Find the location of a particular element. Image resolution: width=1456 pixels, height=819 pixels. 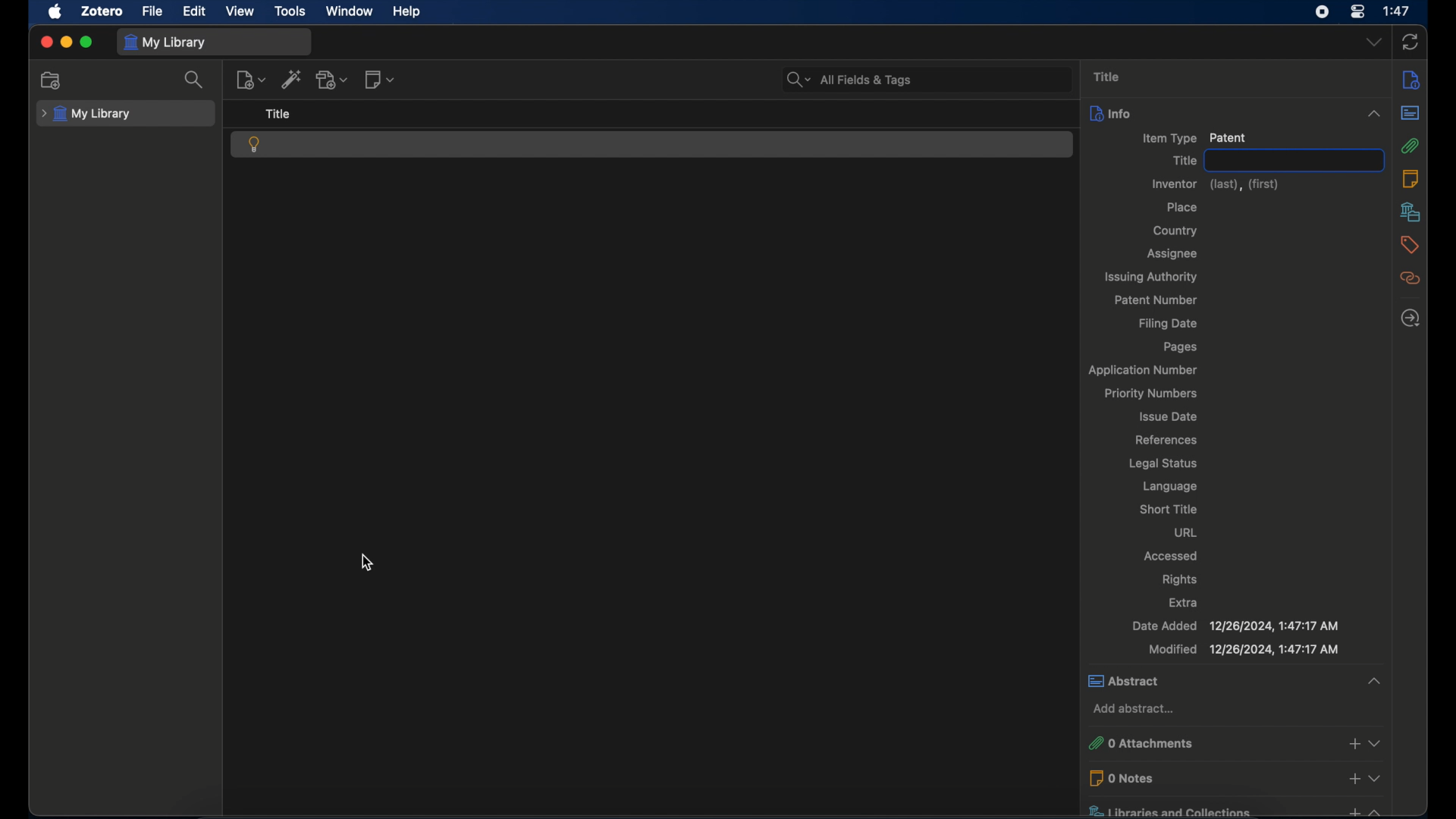

title is located at coordinates (1182, 161).